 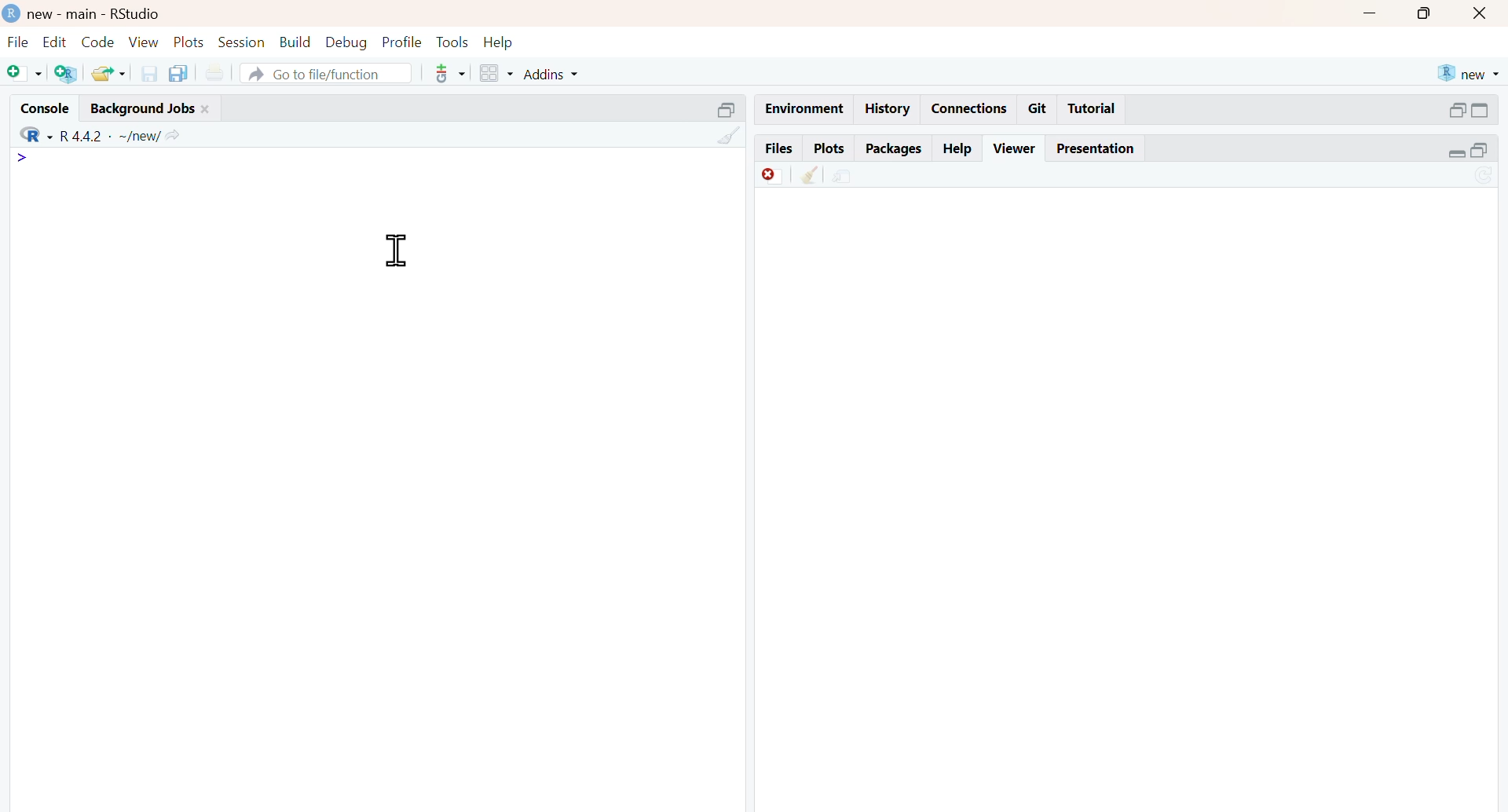 What do you see at coordinates (35, 134) in the screenshot?
I see `R` at bounding box center [35, 134].